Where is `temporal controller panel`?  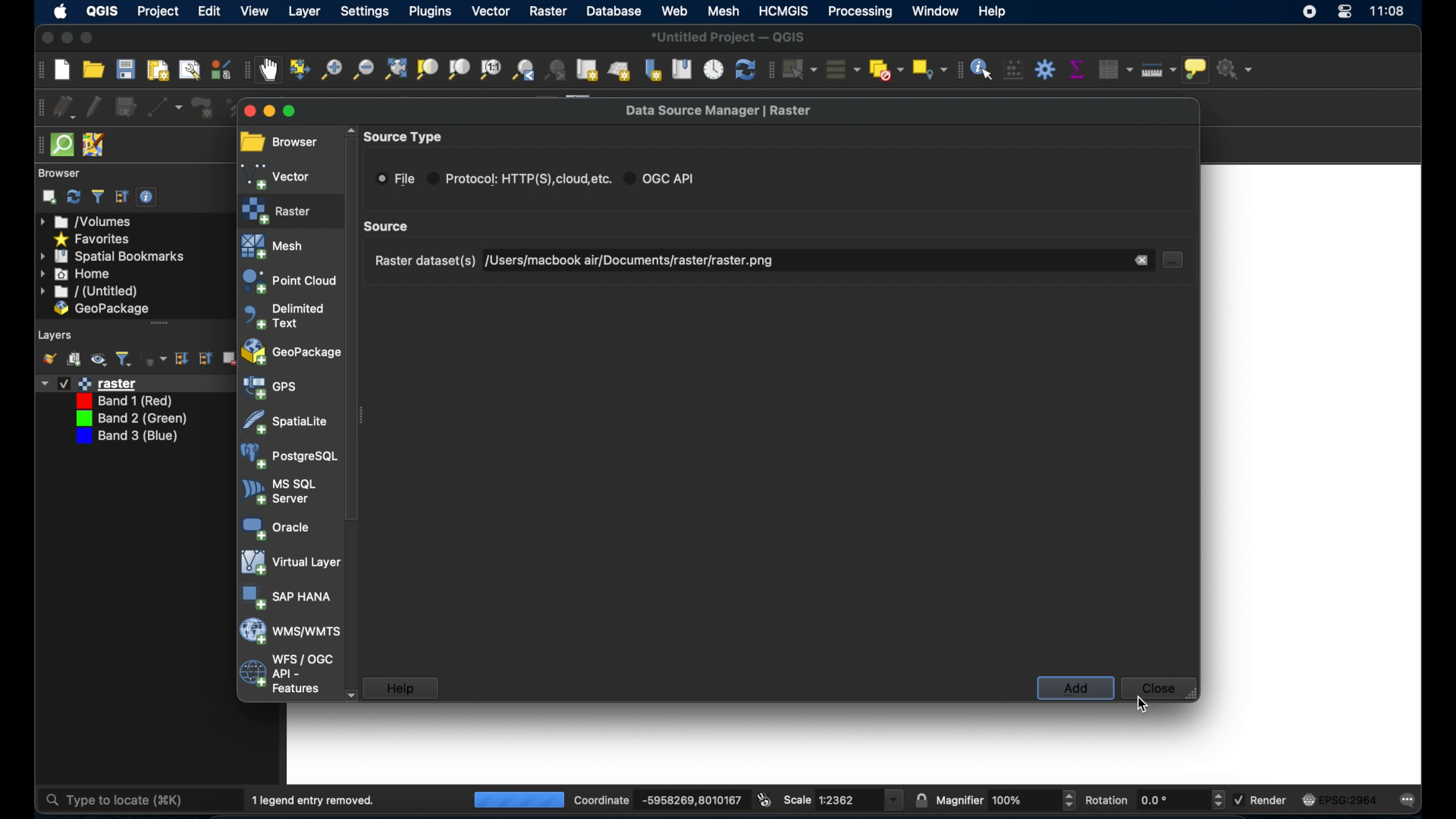
temporal controller panel is located at coordinates (714, 69).